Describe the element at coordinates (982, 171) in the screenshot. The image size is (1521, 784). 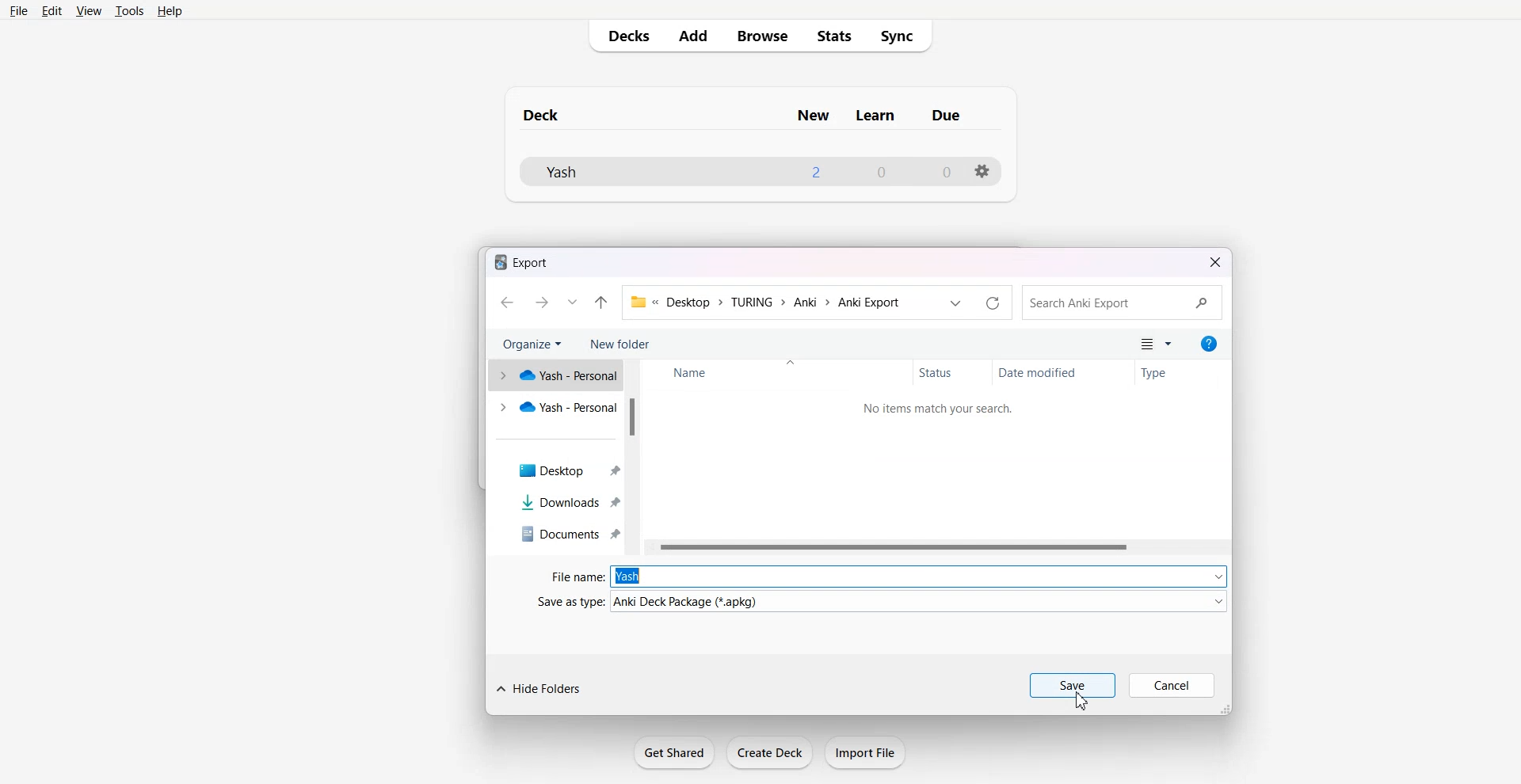
I see `options` at that location.